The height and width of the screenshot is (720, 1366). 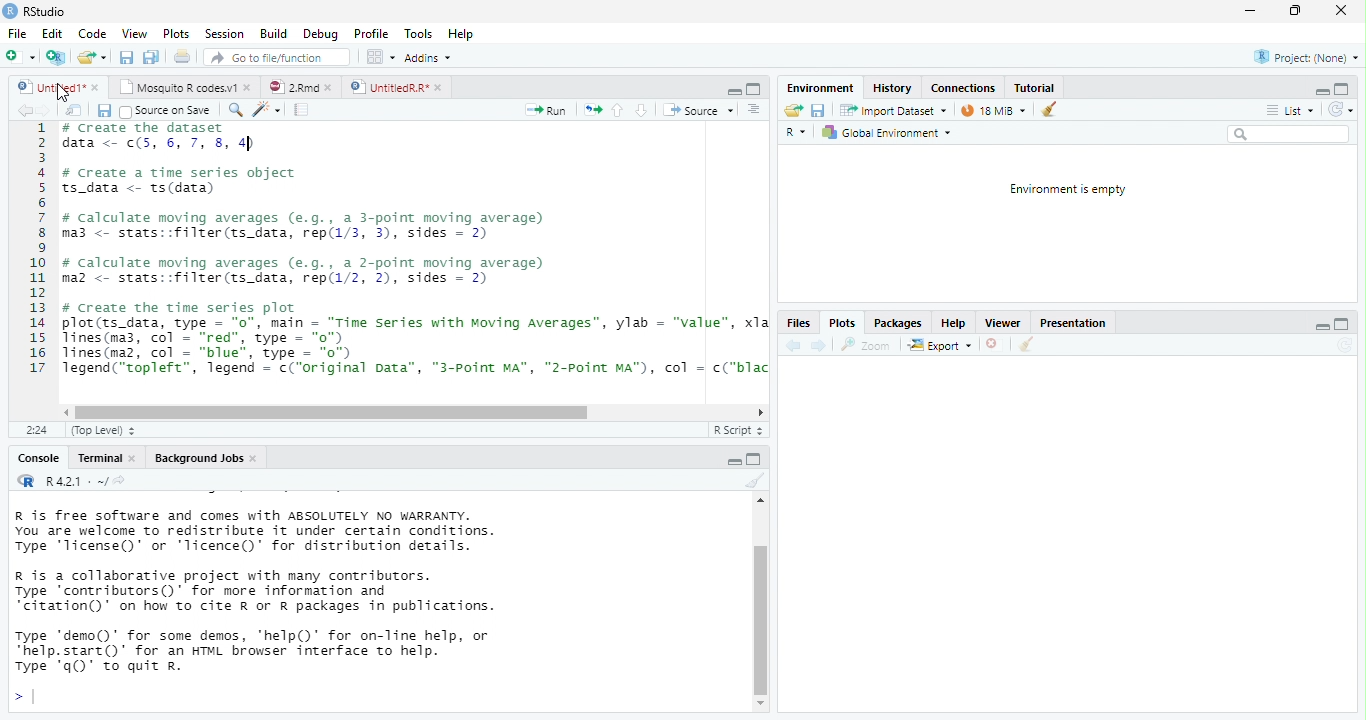 I want to click on Profile, so click(x=371, y=34).